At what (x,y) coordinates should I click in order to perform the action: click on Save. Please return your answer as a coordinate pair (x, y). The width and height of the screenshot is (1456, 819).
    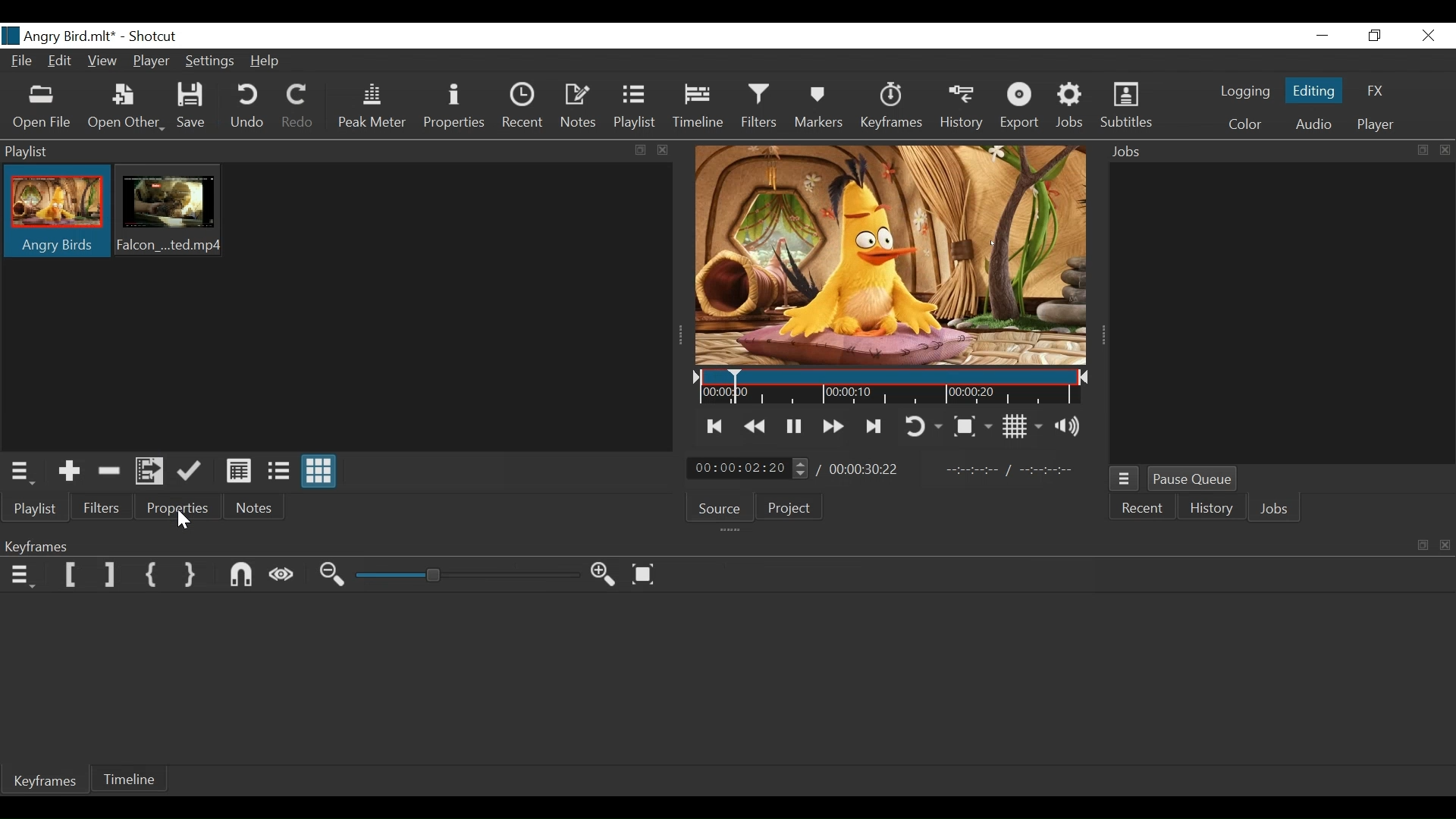
    Looking at the image, I should click on (192, 106).